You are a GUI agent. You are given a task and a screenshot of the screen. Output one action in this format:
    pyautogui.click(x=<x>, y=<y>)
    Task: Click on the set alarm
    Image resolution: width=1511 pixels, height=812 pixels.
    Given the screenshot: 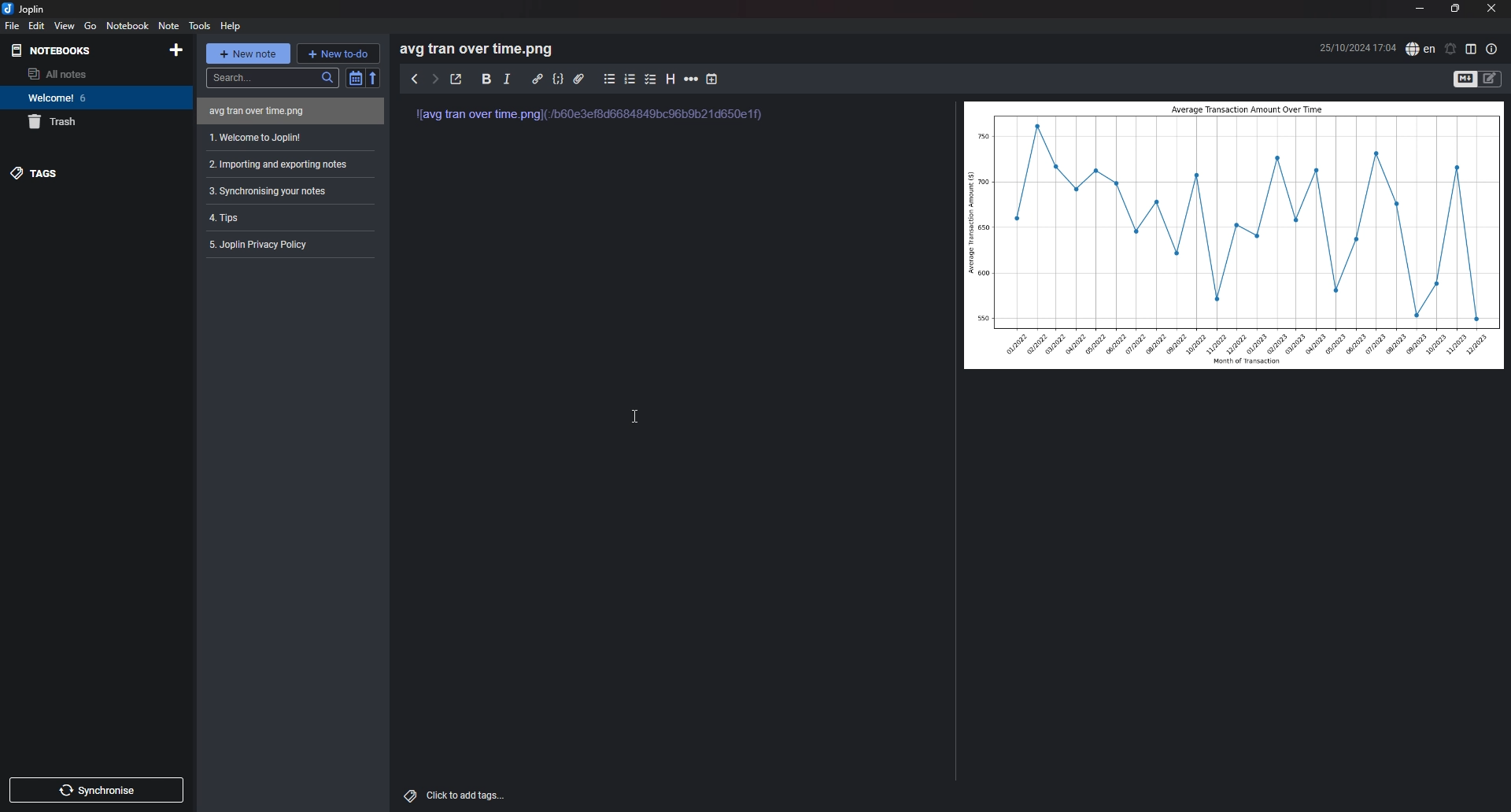 What is the action you would take?
    pyautogui.click(x=1451, y=49)
    